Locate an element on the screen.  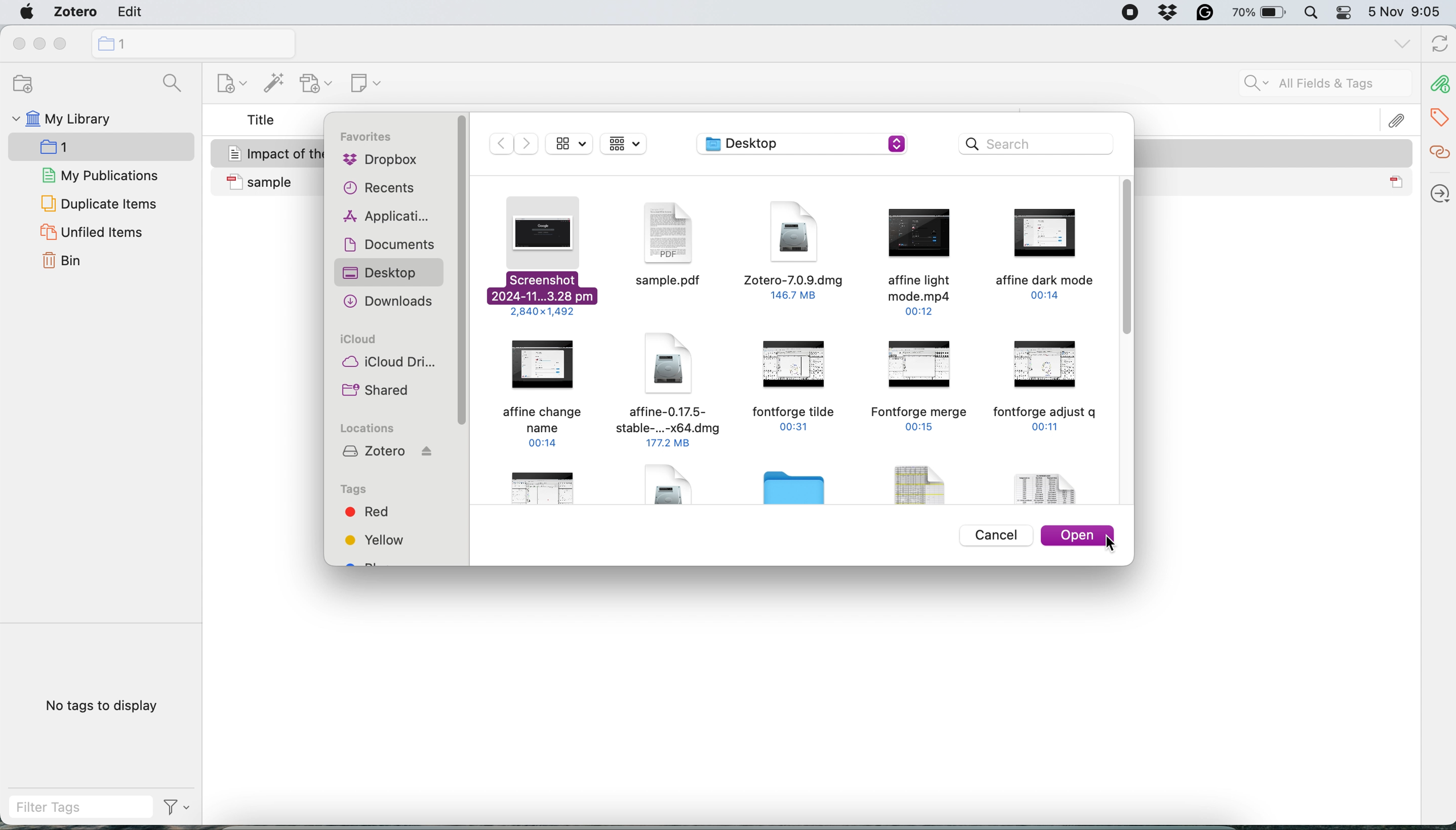
title is located at coordinates (262, 121).